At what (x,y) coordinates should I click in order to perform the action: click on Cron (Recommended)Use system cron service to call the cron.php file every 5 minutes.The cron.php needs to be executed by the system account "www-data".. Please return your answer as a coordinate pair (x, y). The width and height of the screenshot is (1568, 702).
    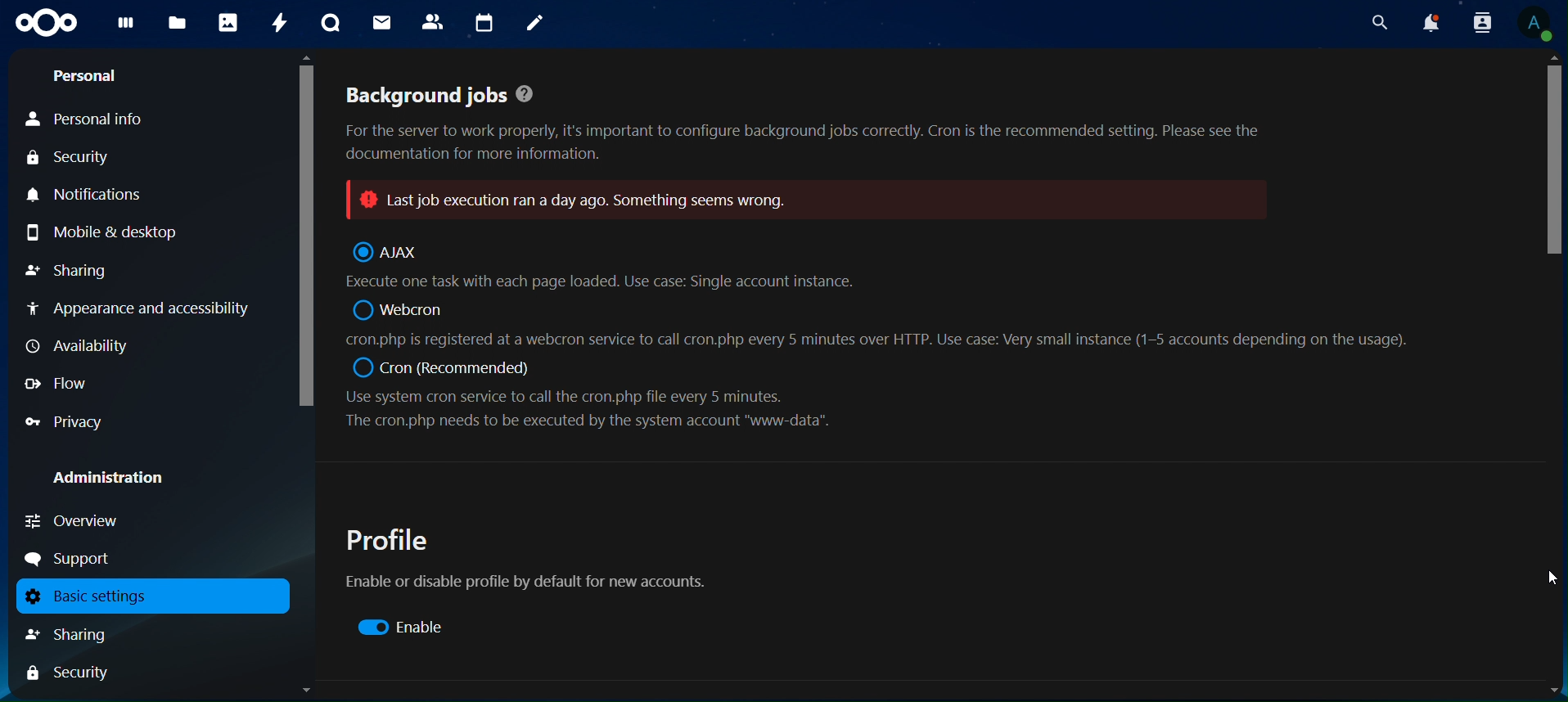
    Looking at the image, I should click on (596, 395).